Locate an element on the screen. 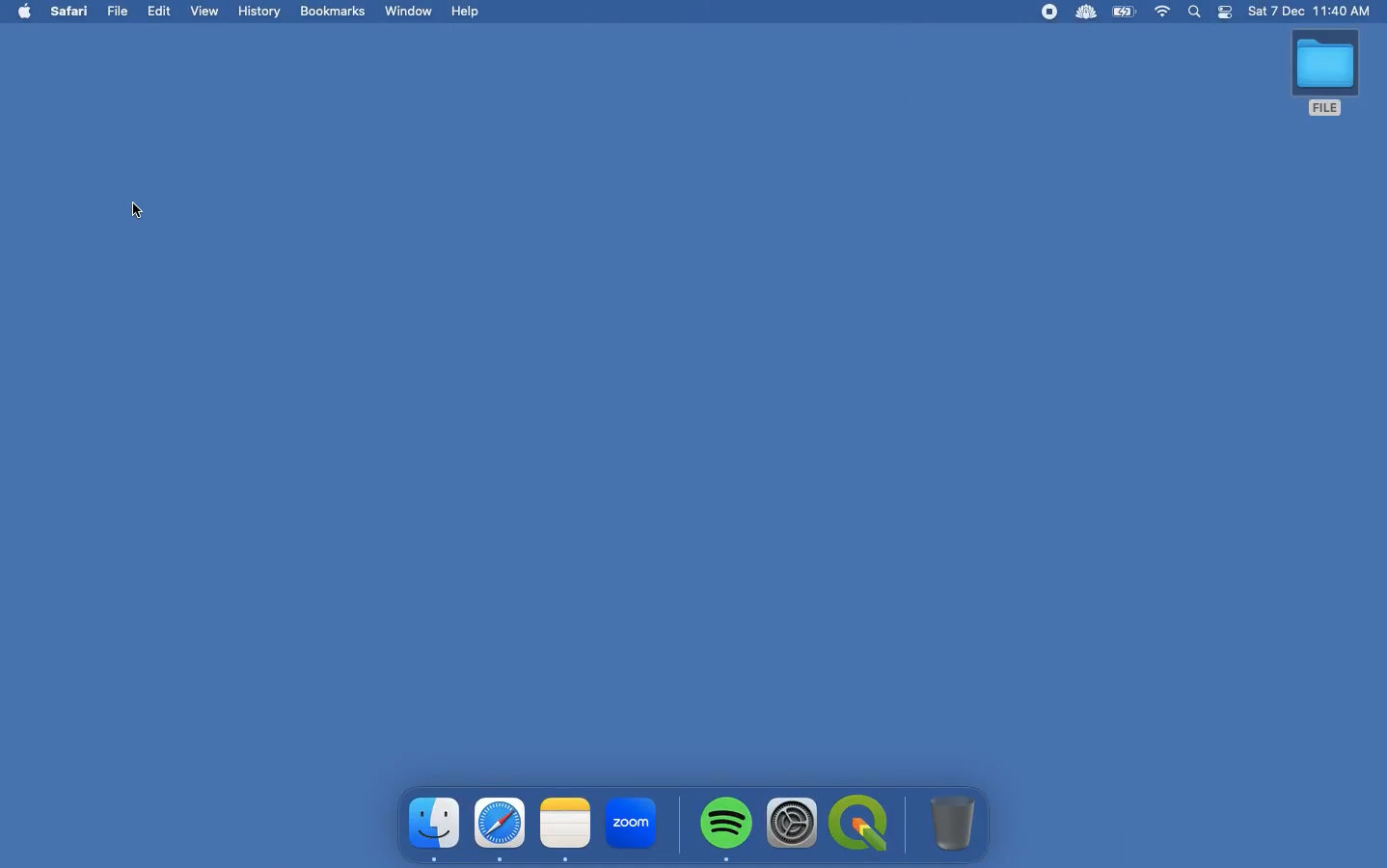 The height and width of the screenshot is (868, 1387). File is located at coordinates (120, 12).